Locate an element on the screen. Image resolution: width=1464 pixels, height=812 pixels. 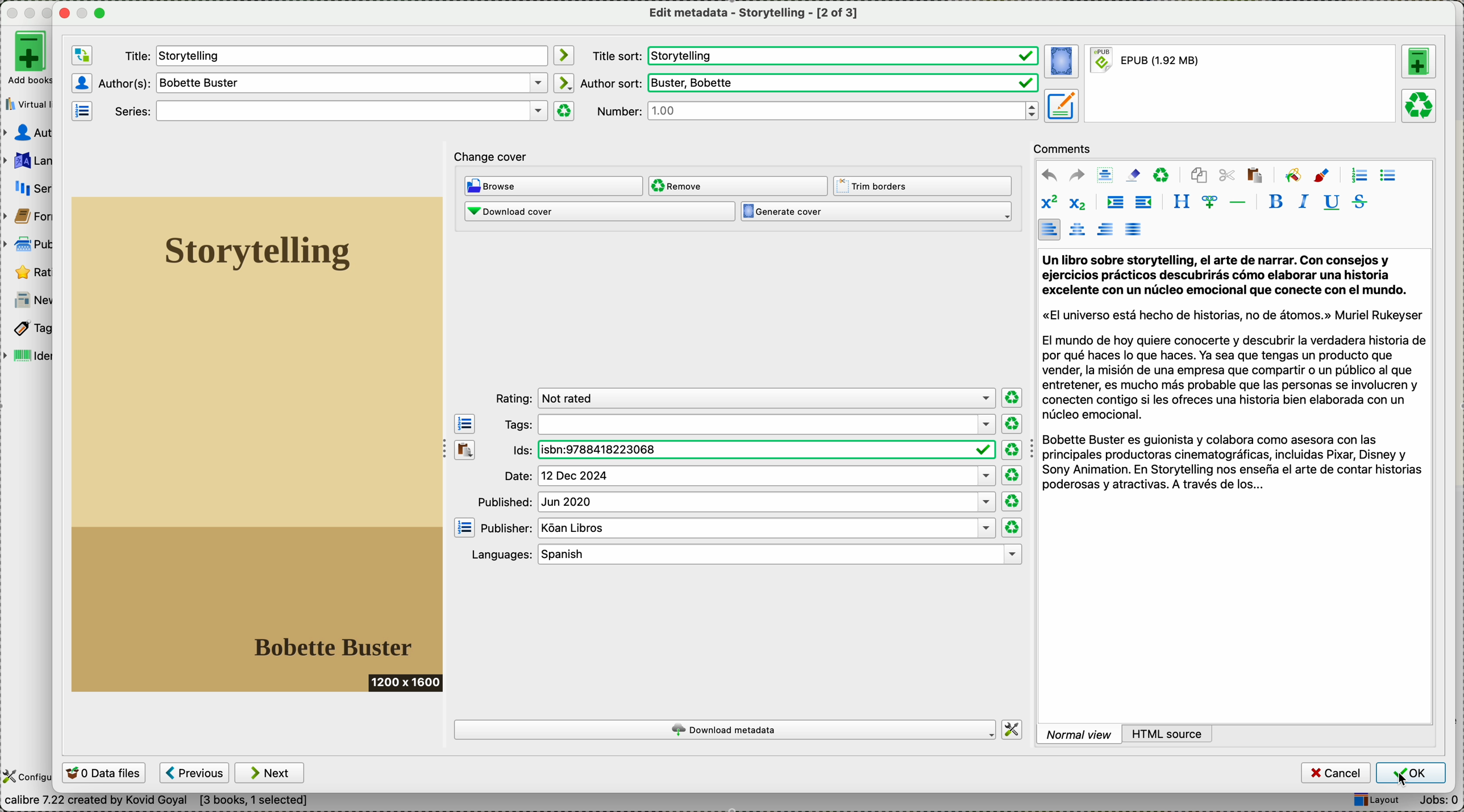
set the cover for the book is located at coordinates (1061, 61).